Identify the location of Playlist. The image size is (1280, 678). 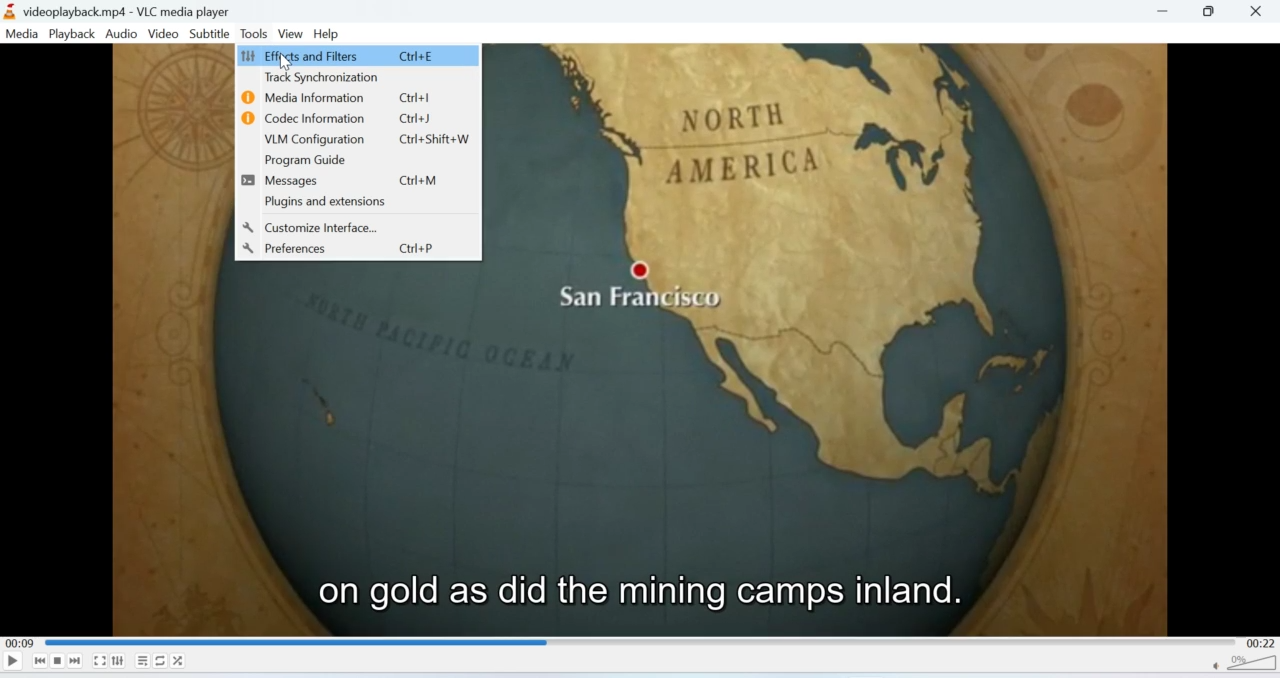
(143, 661).